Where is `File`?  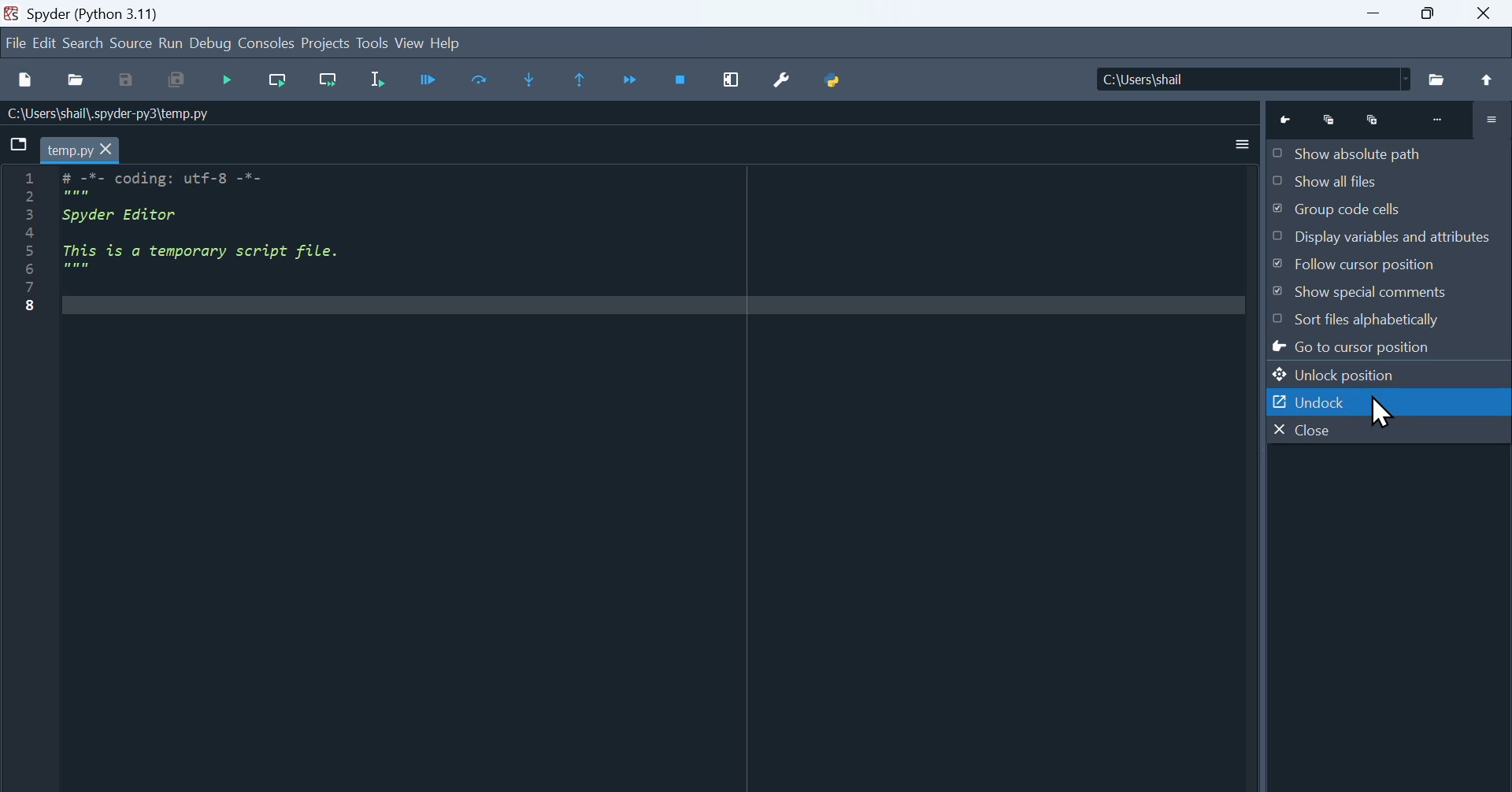
File is located at coordinates (1436, 80).